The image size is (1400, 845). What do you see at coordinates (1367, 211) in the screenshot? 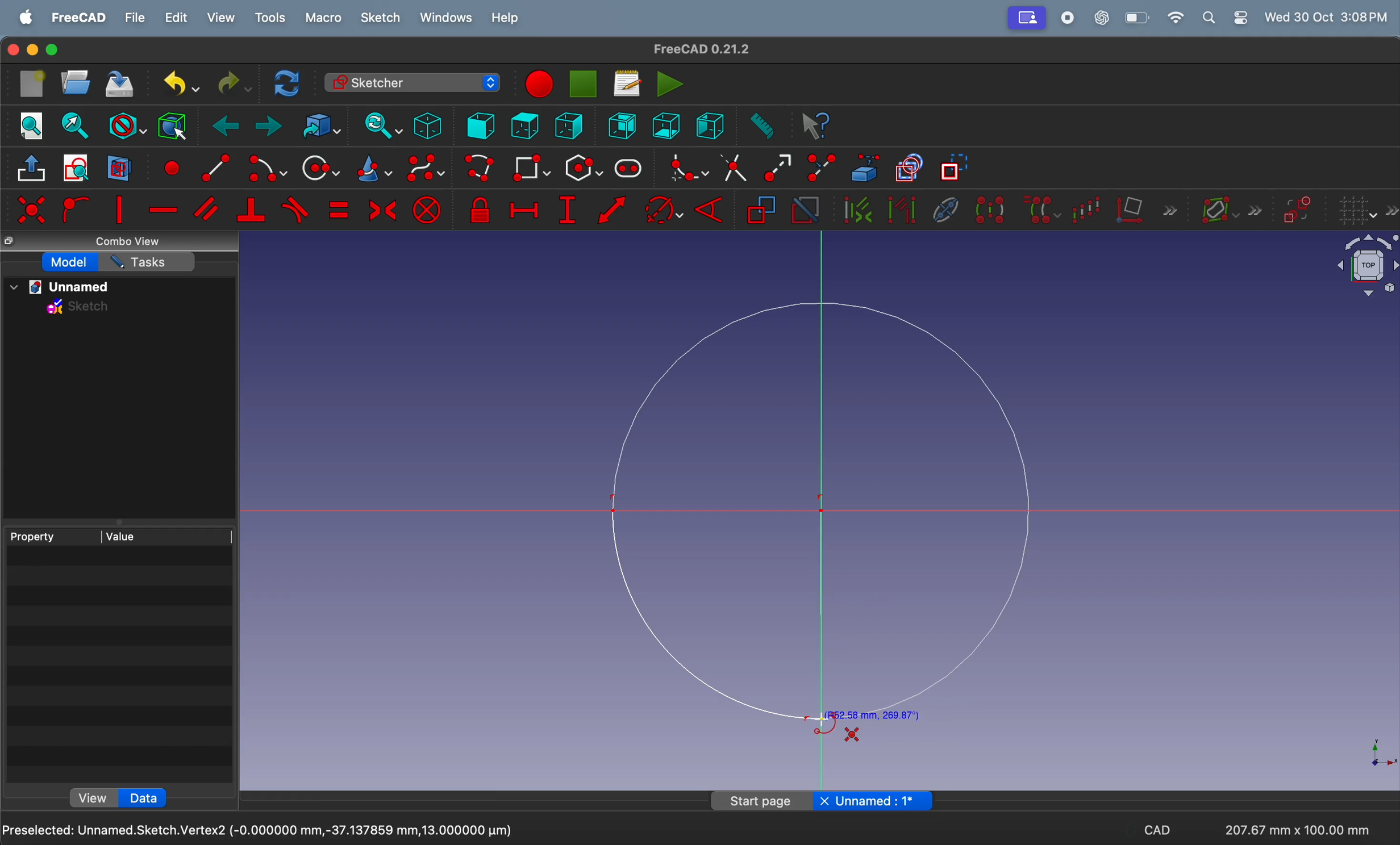
I see `grid` at bounding box center [1367, 211].